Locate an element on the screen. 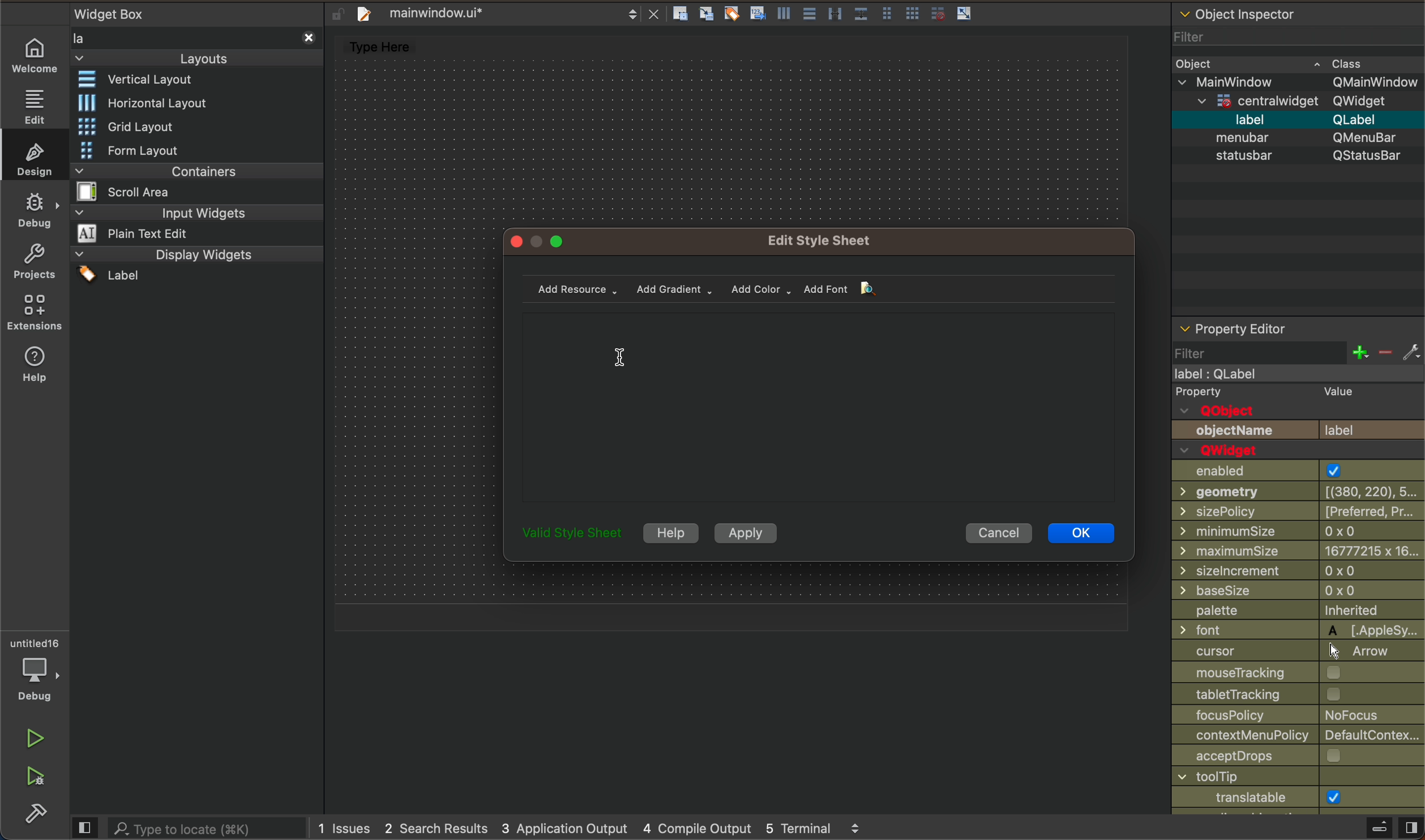 Image resolution: width=1425 pixels, height=840 pixels. size policy is located at coordinates (1299, 512).